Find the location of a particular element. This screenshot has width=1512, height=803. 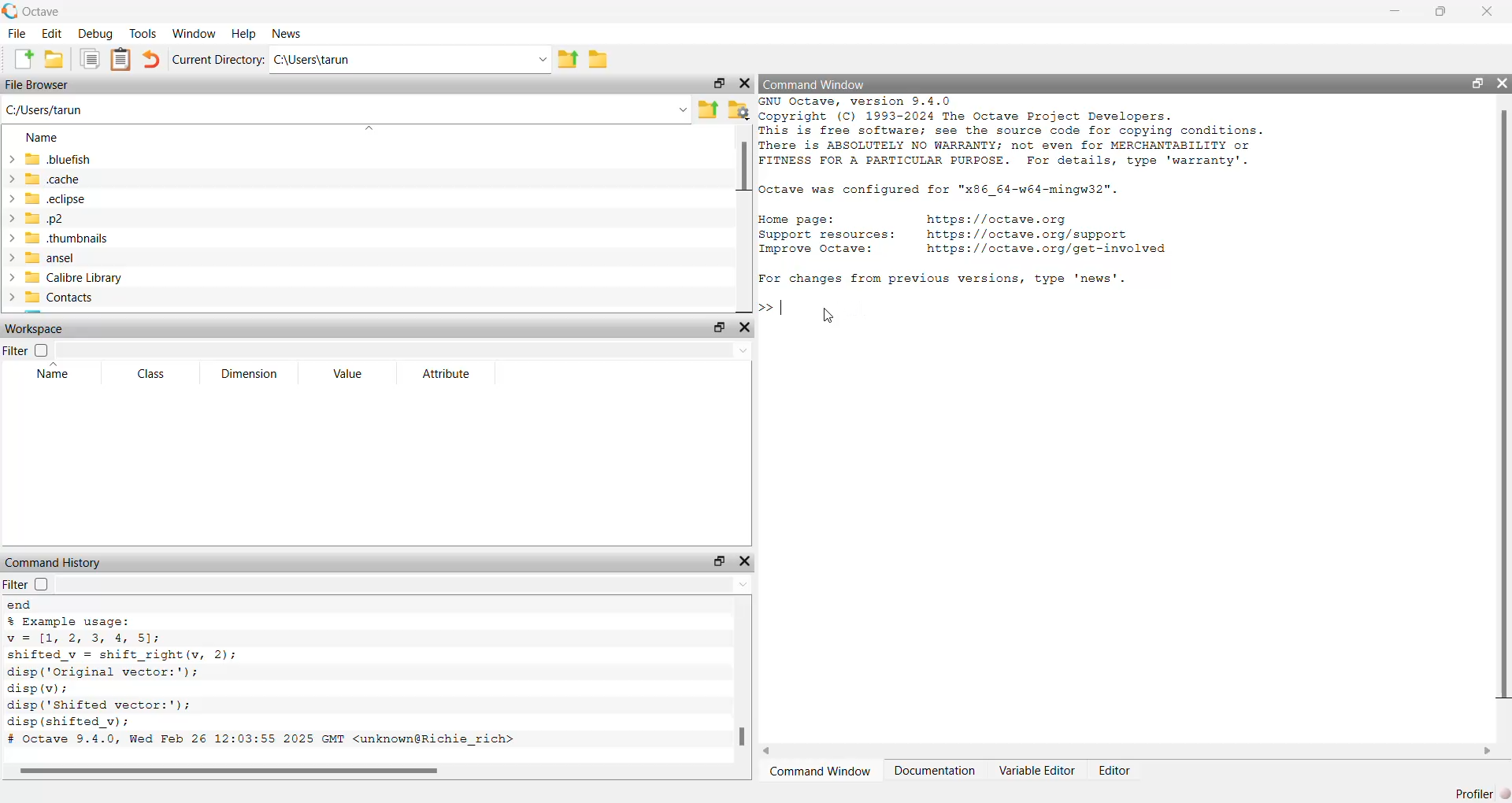

unlock widget is located at coordinates (1473, 84).